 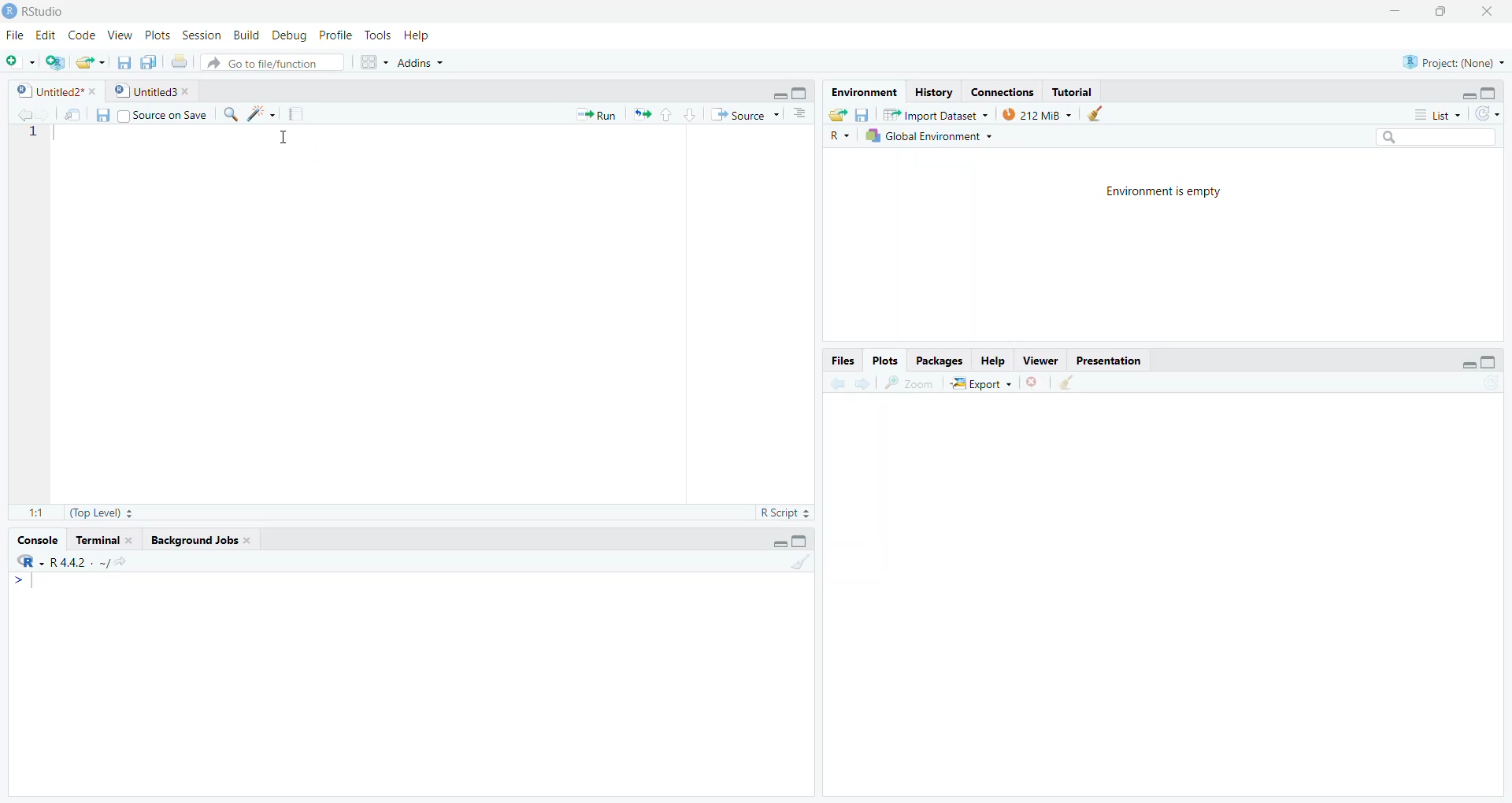 I want to click on CLEAR, so click(x=1074, y=383).